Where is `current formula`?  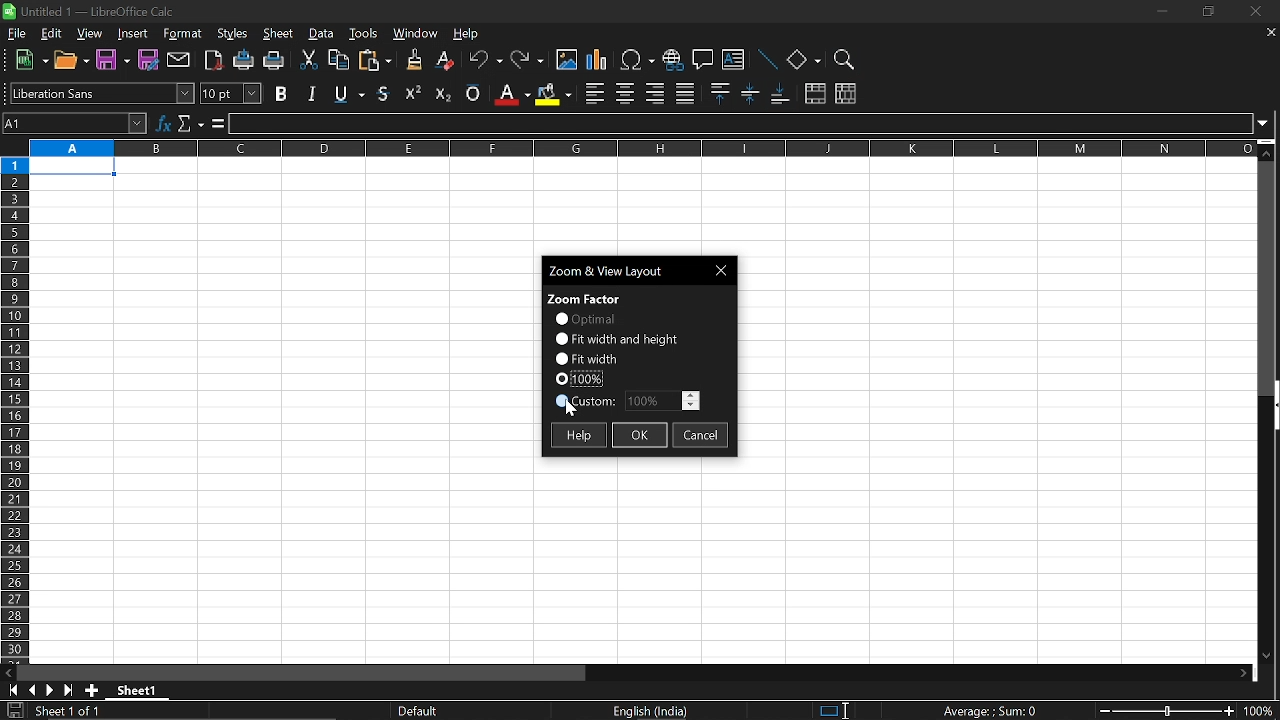 current formula is located at coordinates (990, 711).